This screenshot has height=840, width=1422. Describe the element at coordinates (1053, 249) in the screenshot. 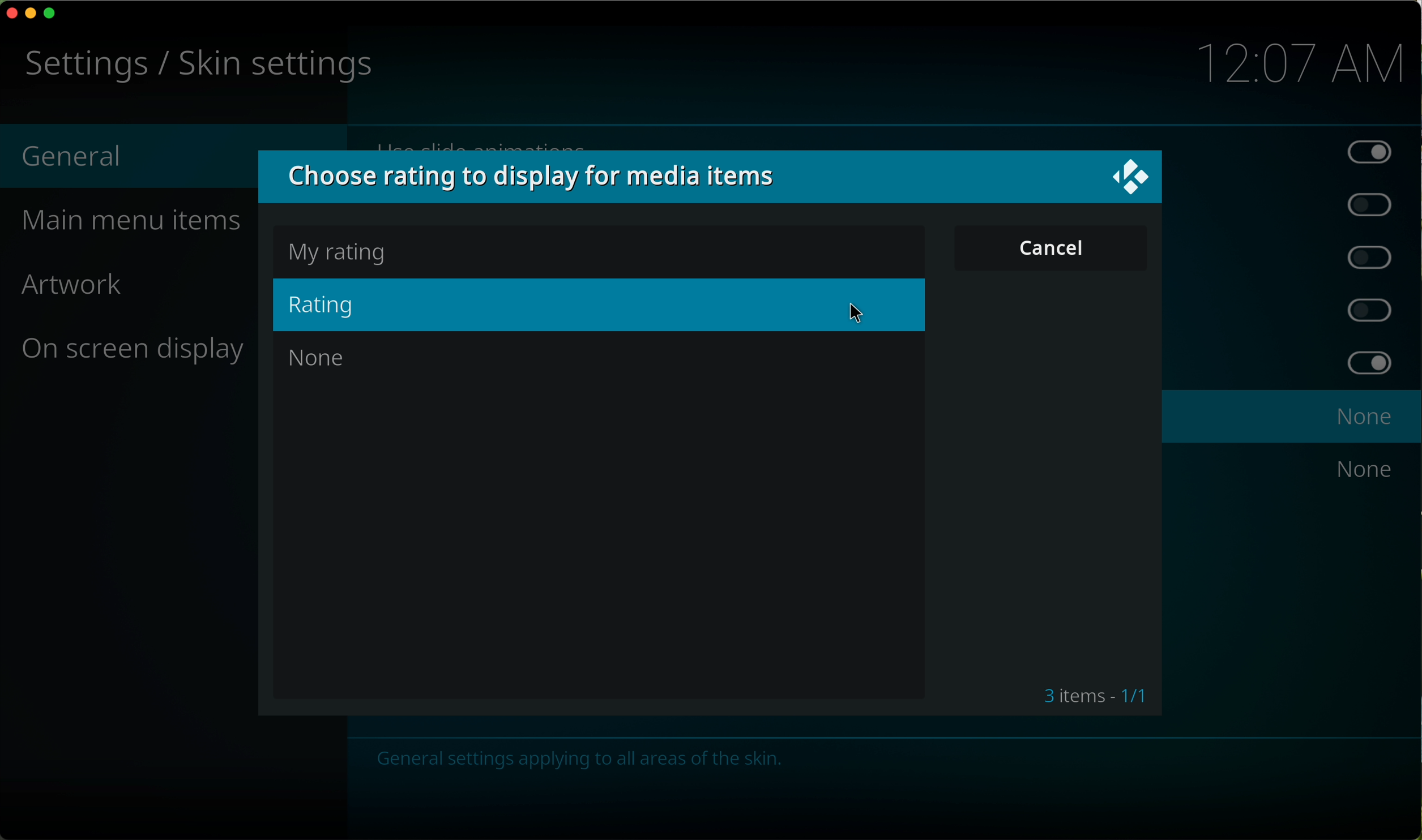

I see `cancel button` at that location.